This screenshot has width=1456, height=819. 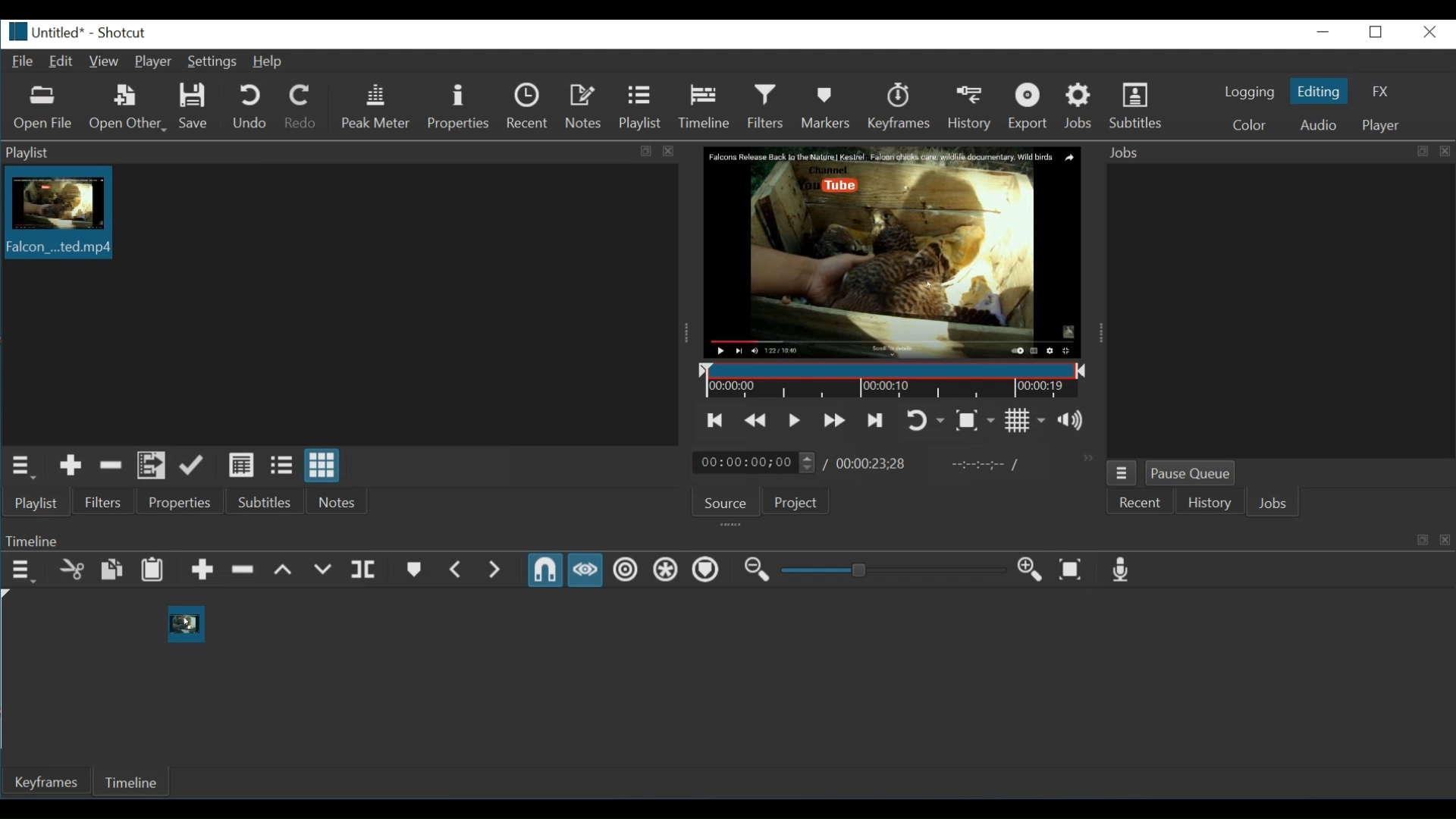 I want to click on Snap, so click(x=544, y=570).